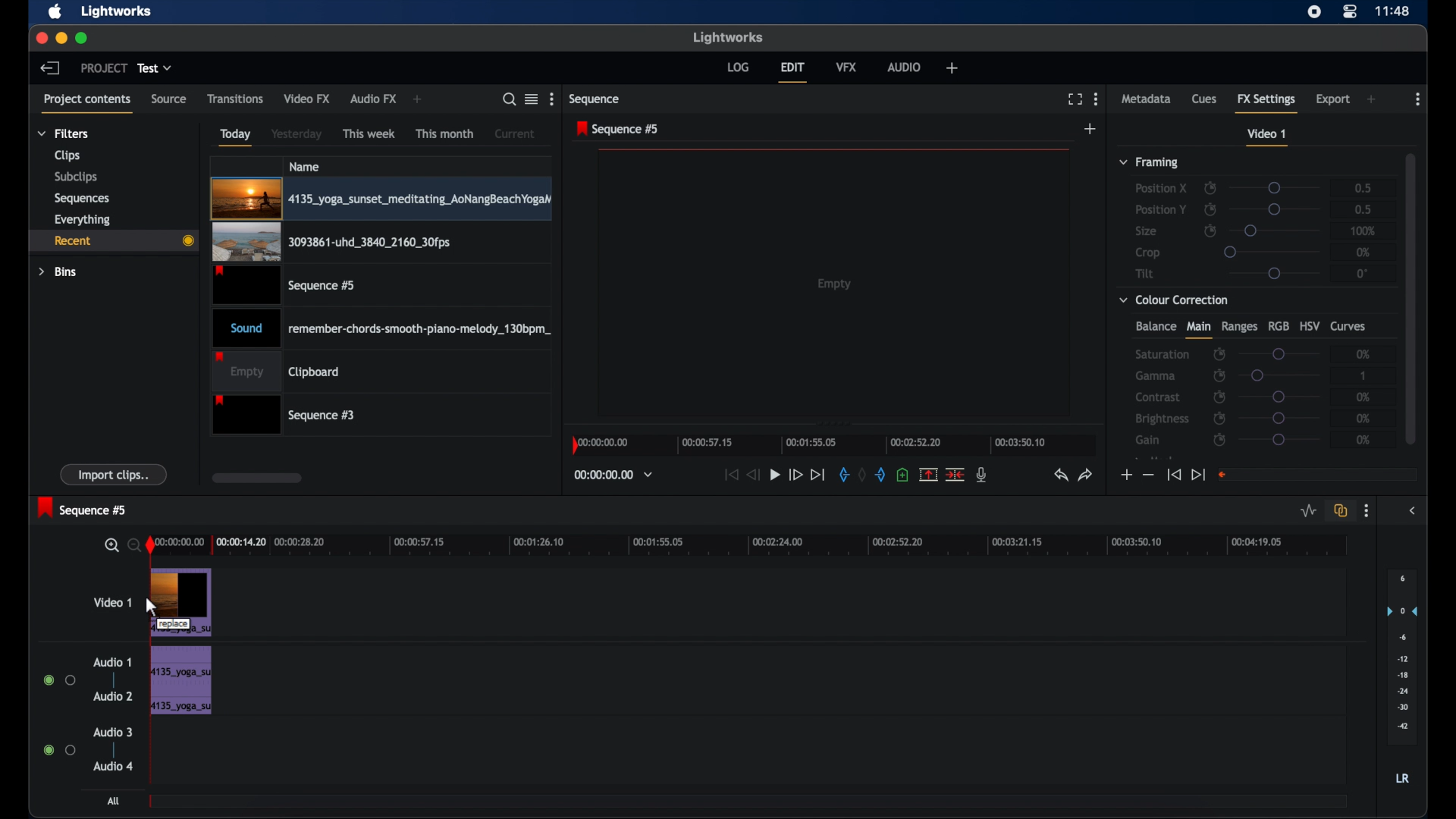  What do you see at coordinates (830, 444) in the screenshot?
I see `timeline` at bounding box center [830, 444].